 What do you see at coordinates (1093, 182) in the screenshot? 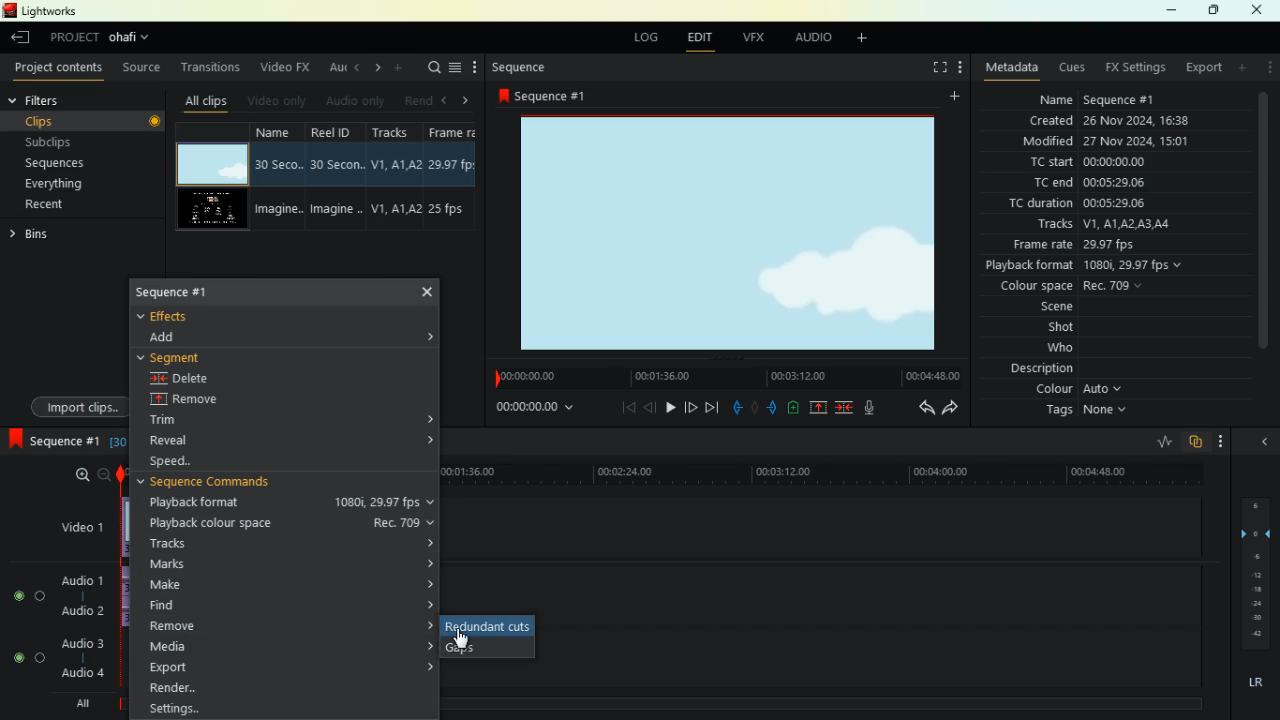
I see `tc end00:05:29:06` at bounding box center [1093, 182].